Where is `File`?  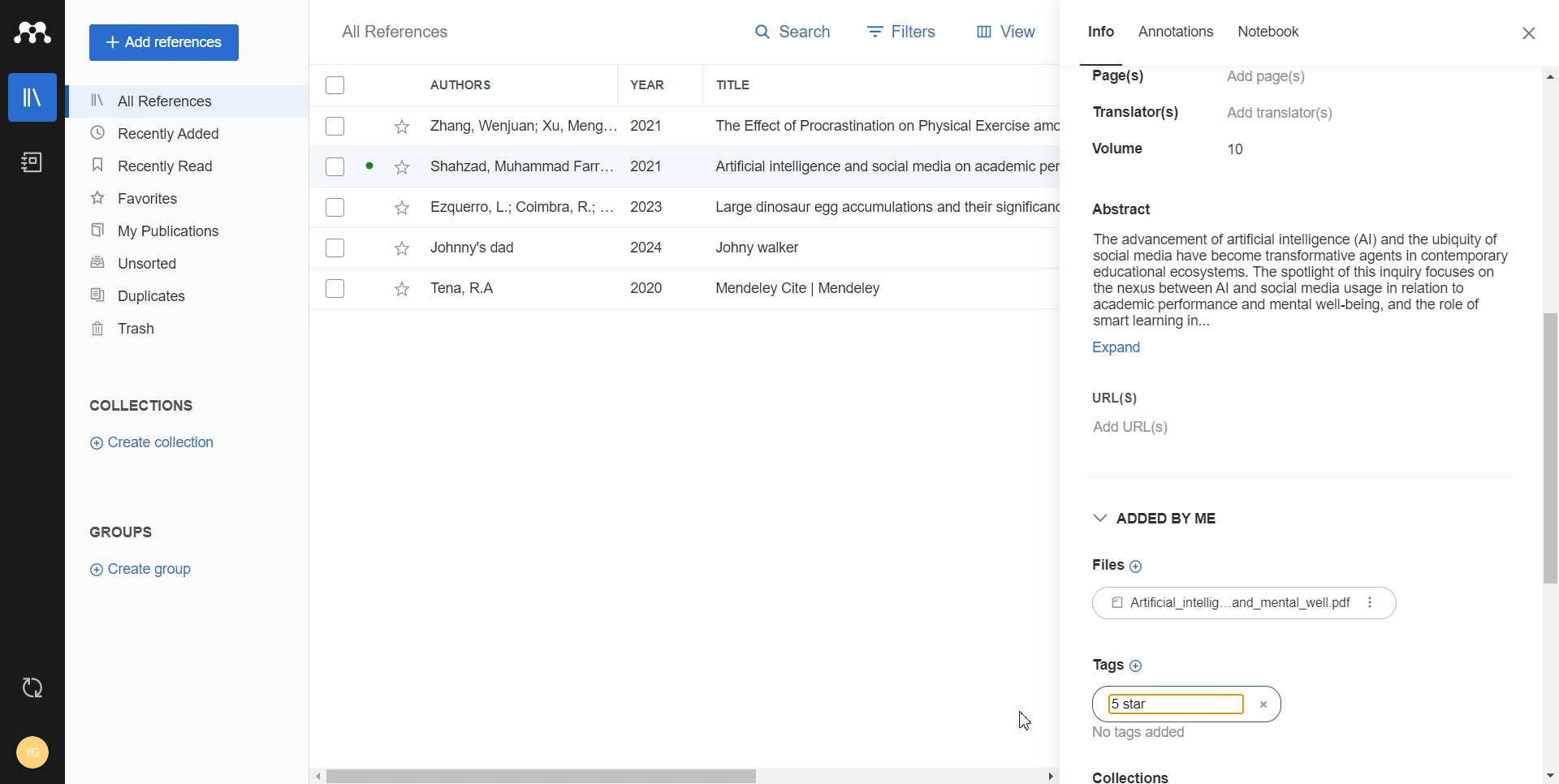
File is located at coordinates (686, 126).